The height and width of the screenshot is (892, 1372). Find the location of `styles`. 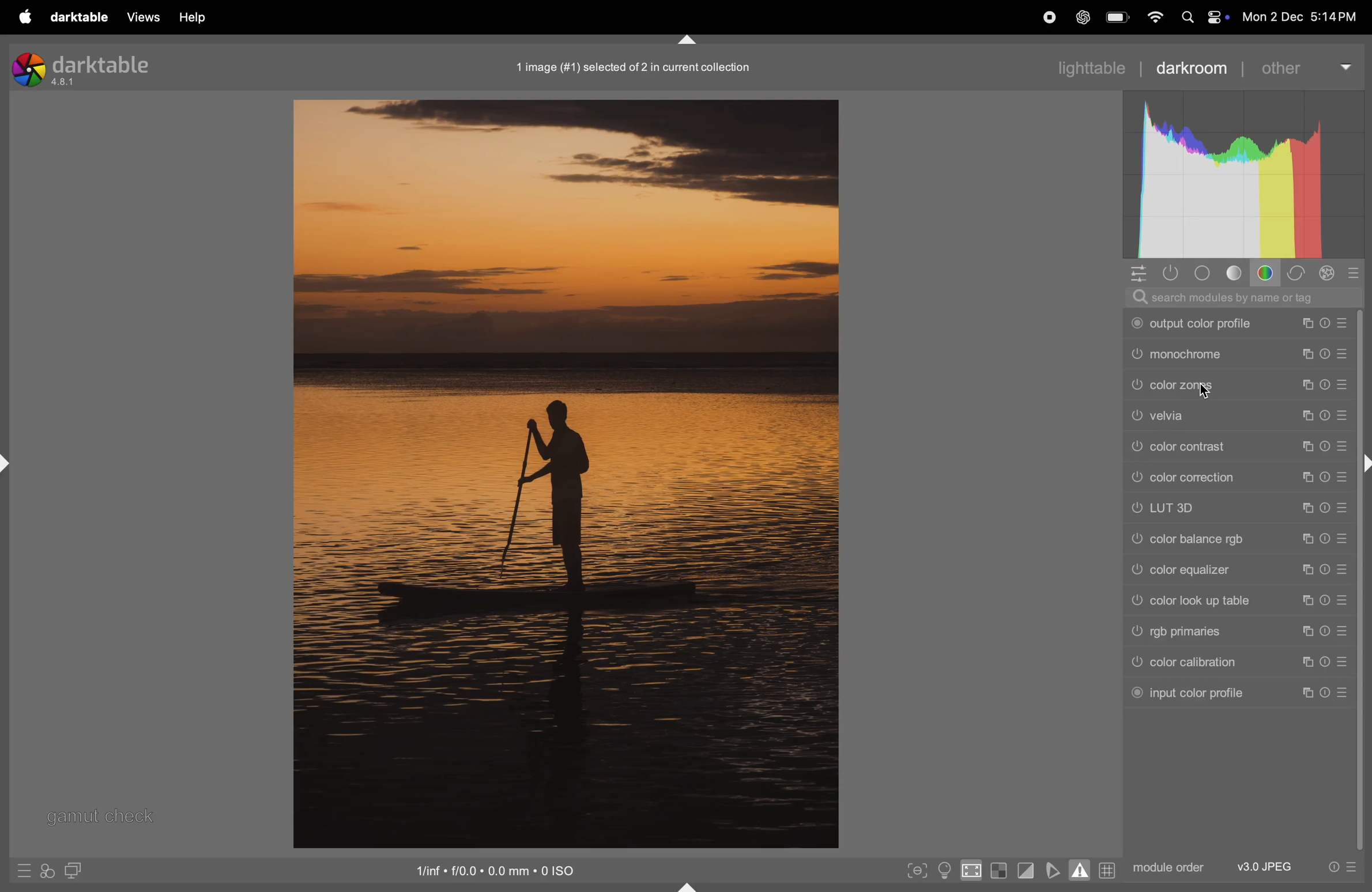

styles is located at coordinates (47, 872).